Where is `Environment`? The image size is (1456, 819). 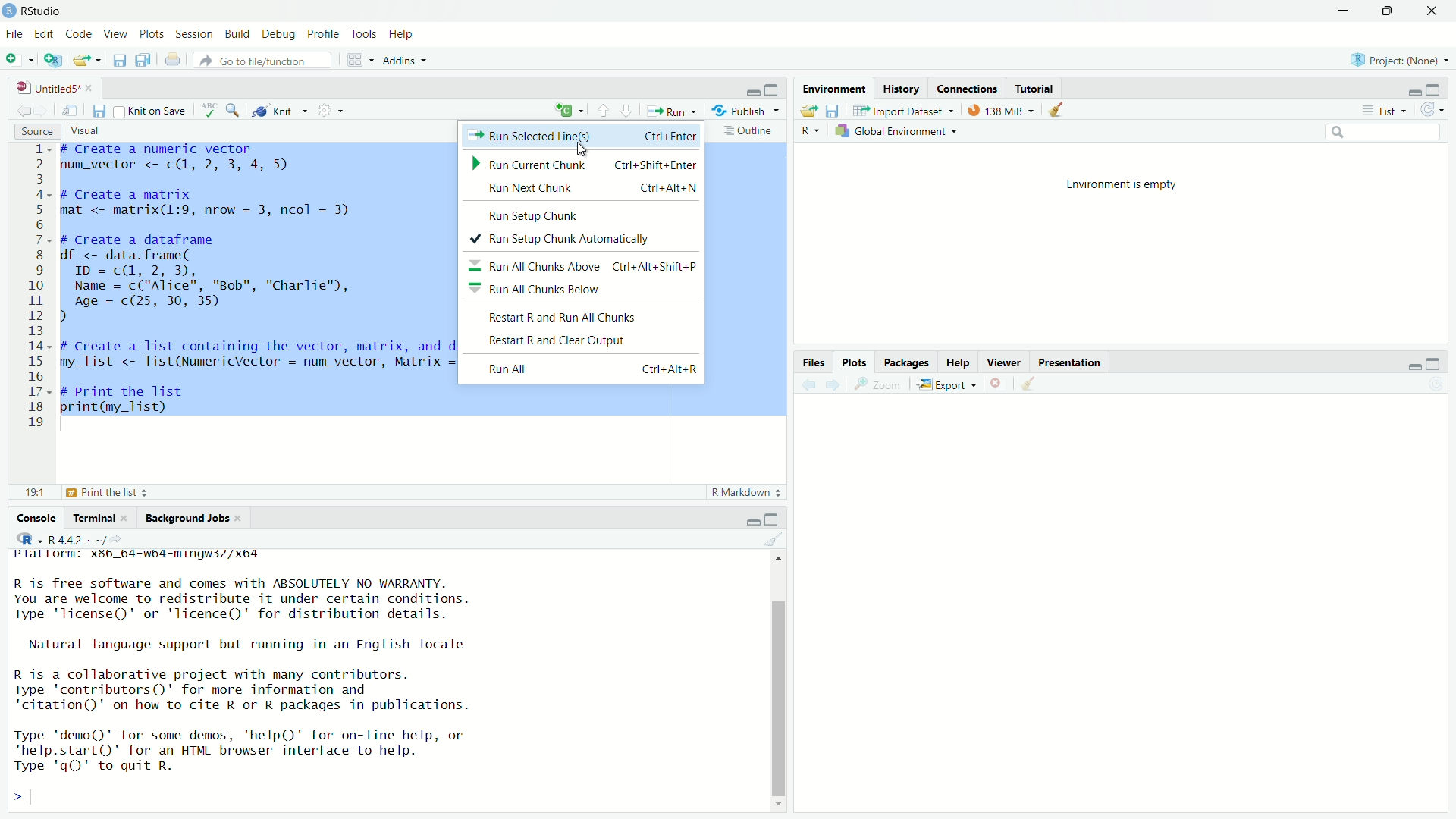
Environment is located at coordinates (835, 88).